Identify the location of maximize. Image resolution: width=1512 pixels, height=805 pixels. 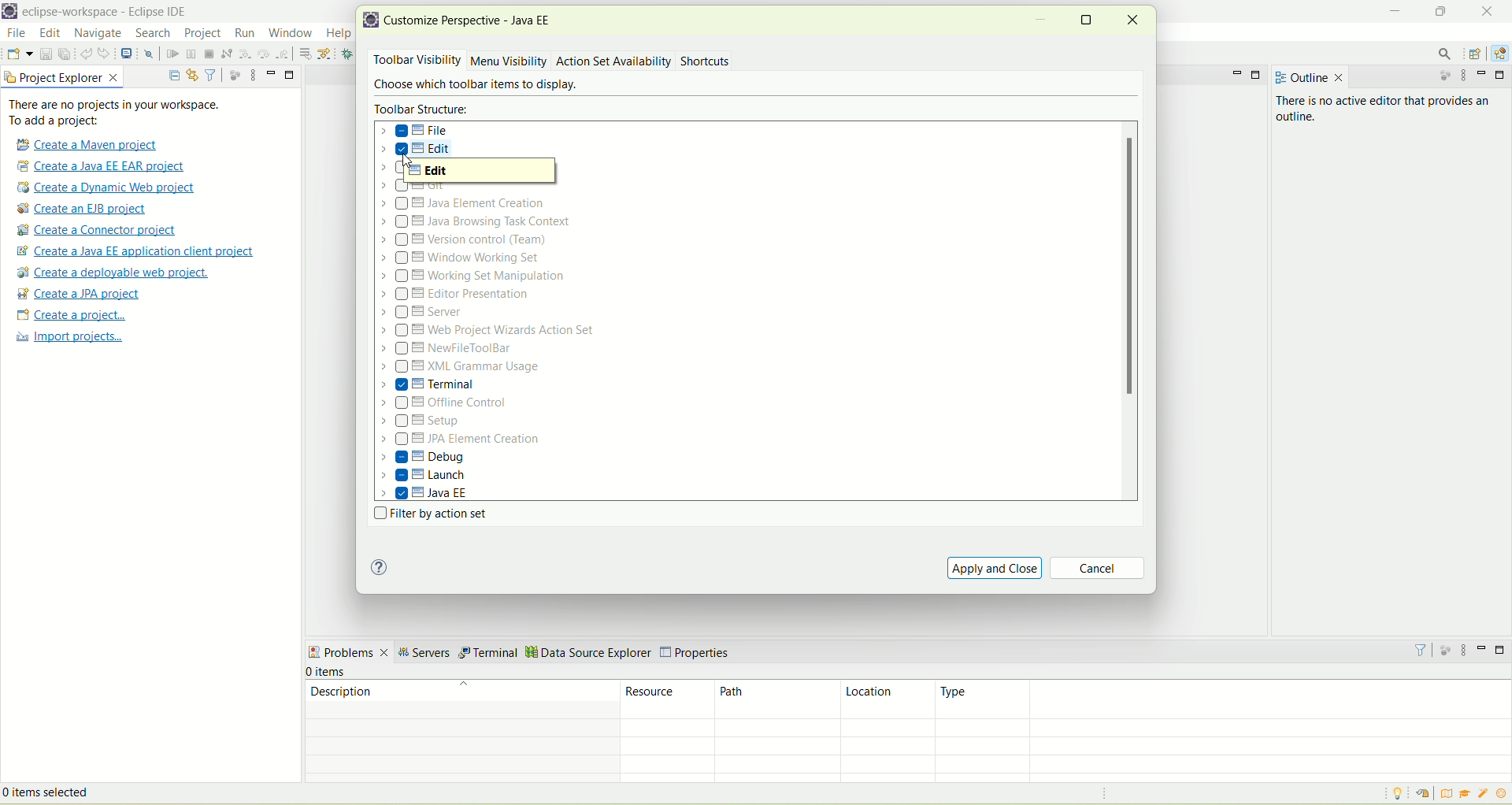
(1438, 9).